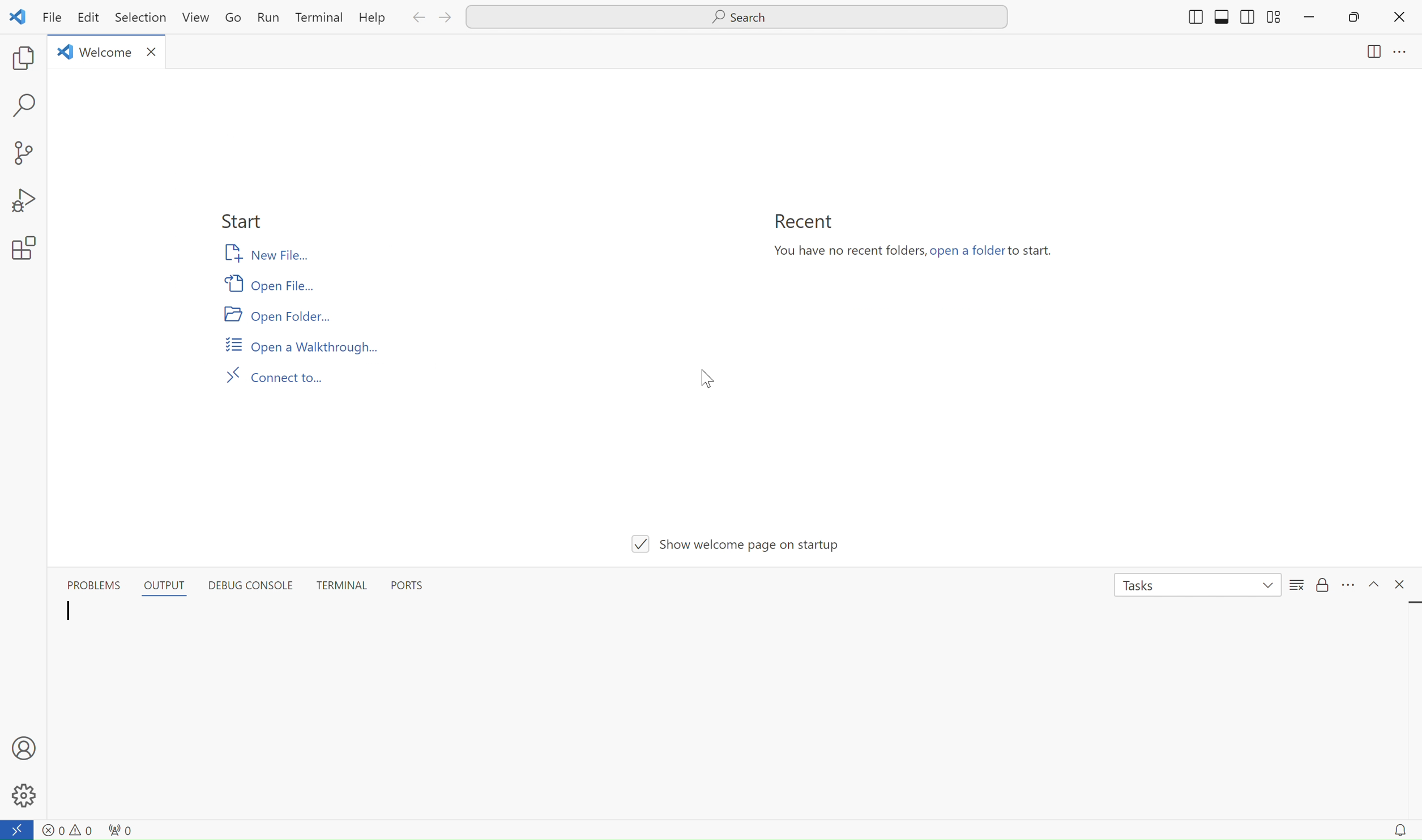  I want to click on change position, so click(1225, 20).